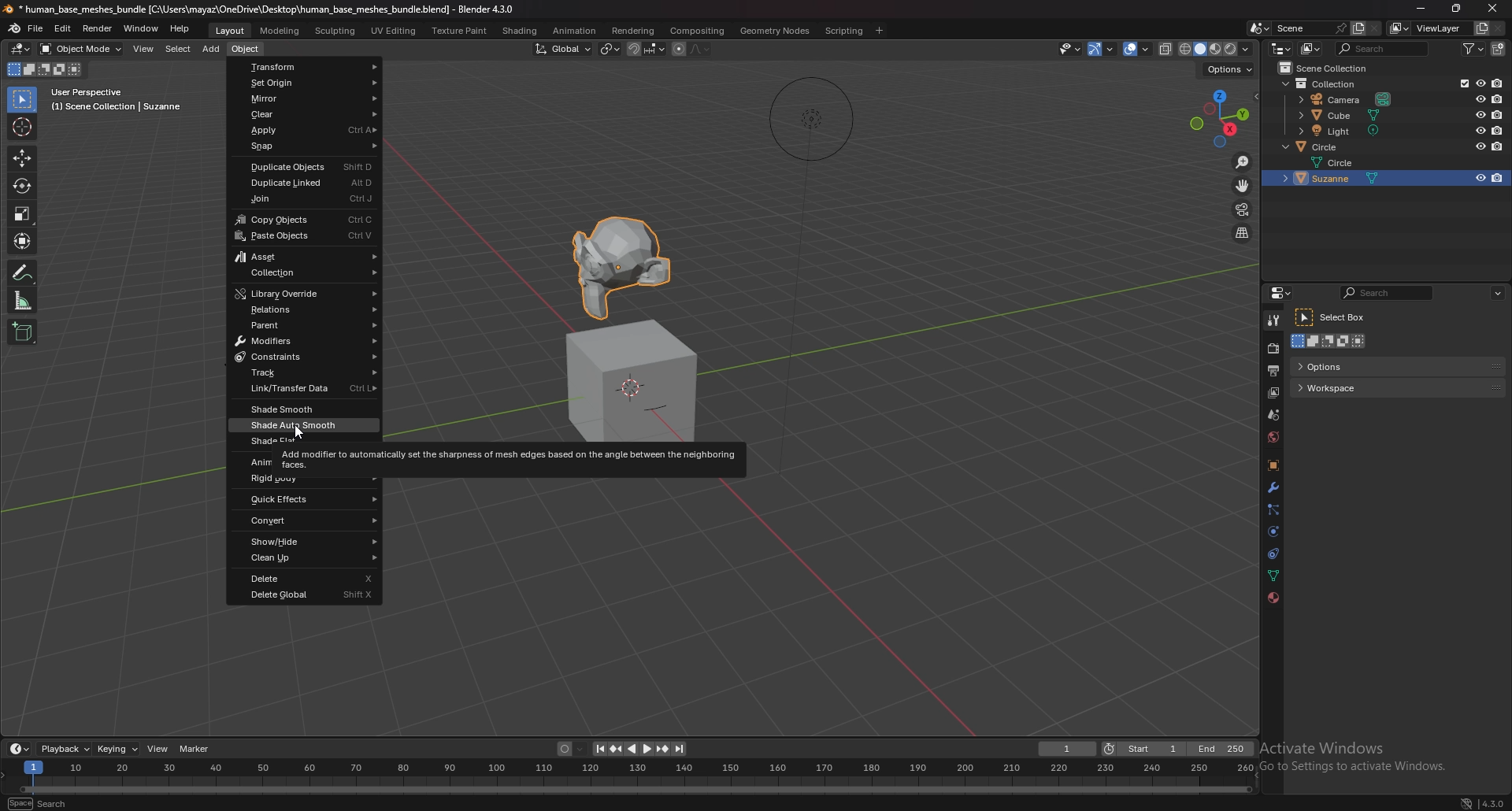 Image resolution: width=1512 pixels, height=811 pixels. Describe the element at coordinates (1271, 599) in the screenshot. I see `material` at that location.